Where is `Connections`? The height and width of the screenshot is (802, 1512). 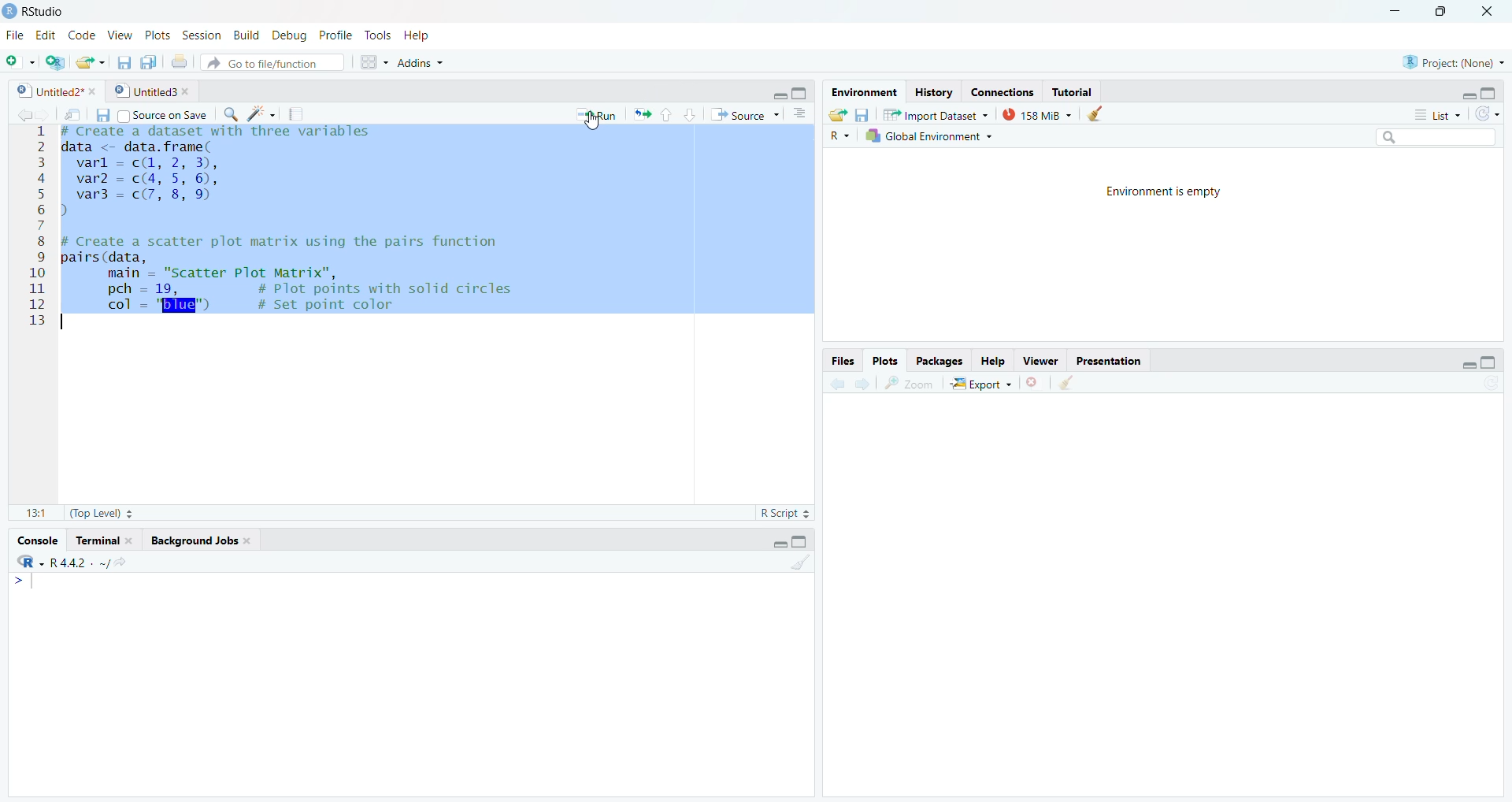 Connections is located at coordinates (999, 89).